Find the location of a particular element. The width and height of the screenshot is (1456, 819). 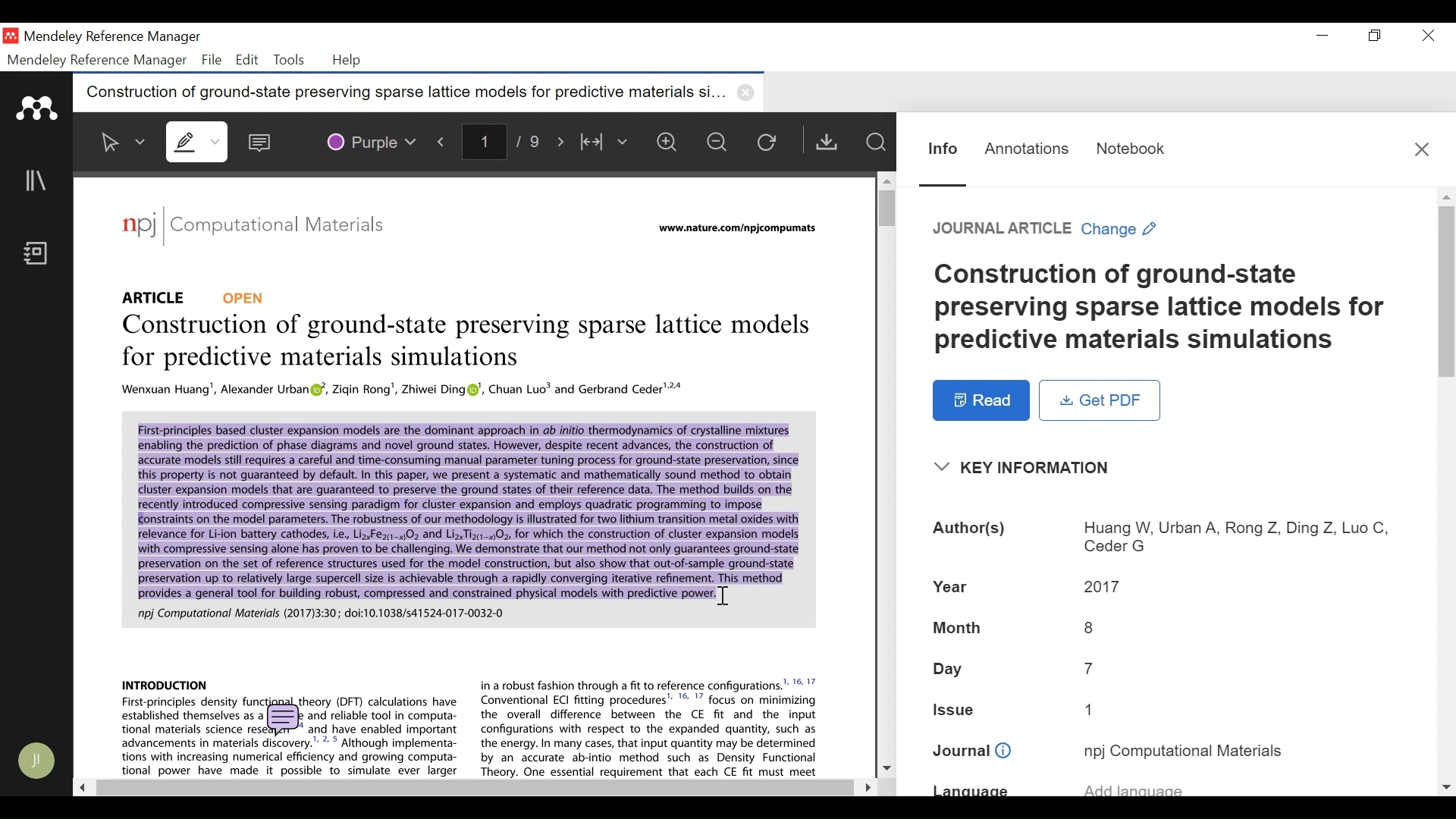

Scroll up is located at coordinates (1446, 196).